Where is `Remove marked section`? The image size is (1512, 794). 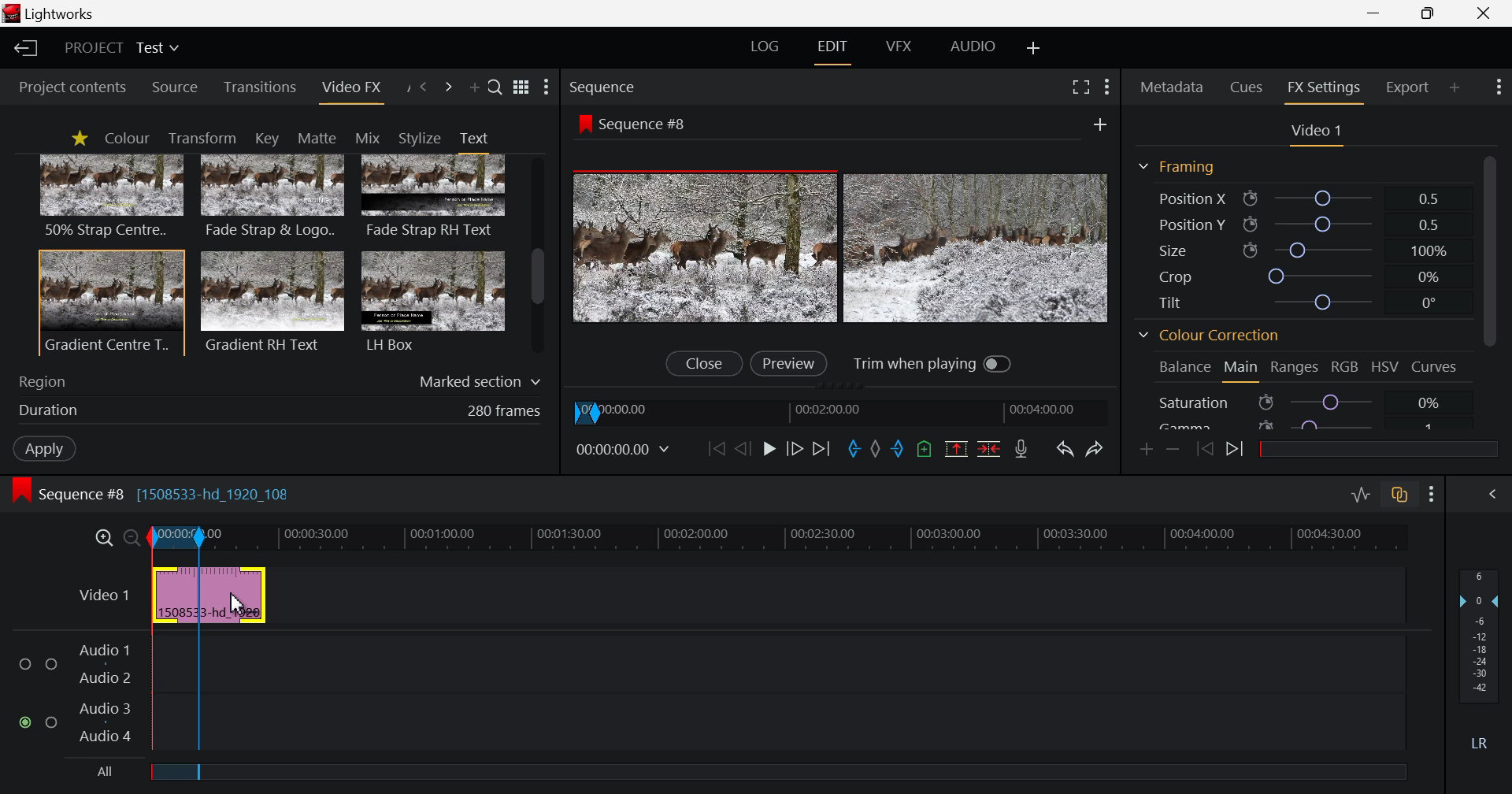 Remove marked section is located at coordinates (956, 448).